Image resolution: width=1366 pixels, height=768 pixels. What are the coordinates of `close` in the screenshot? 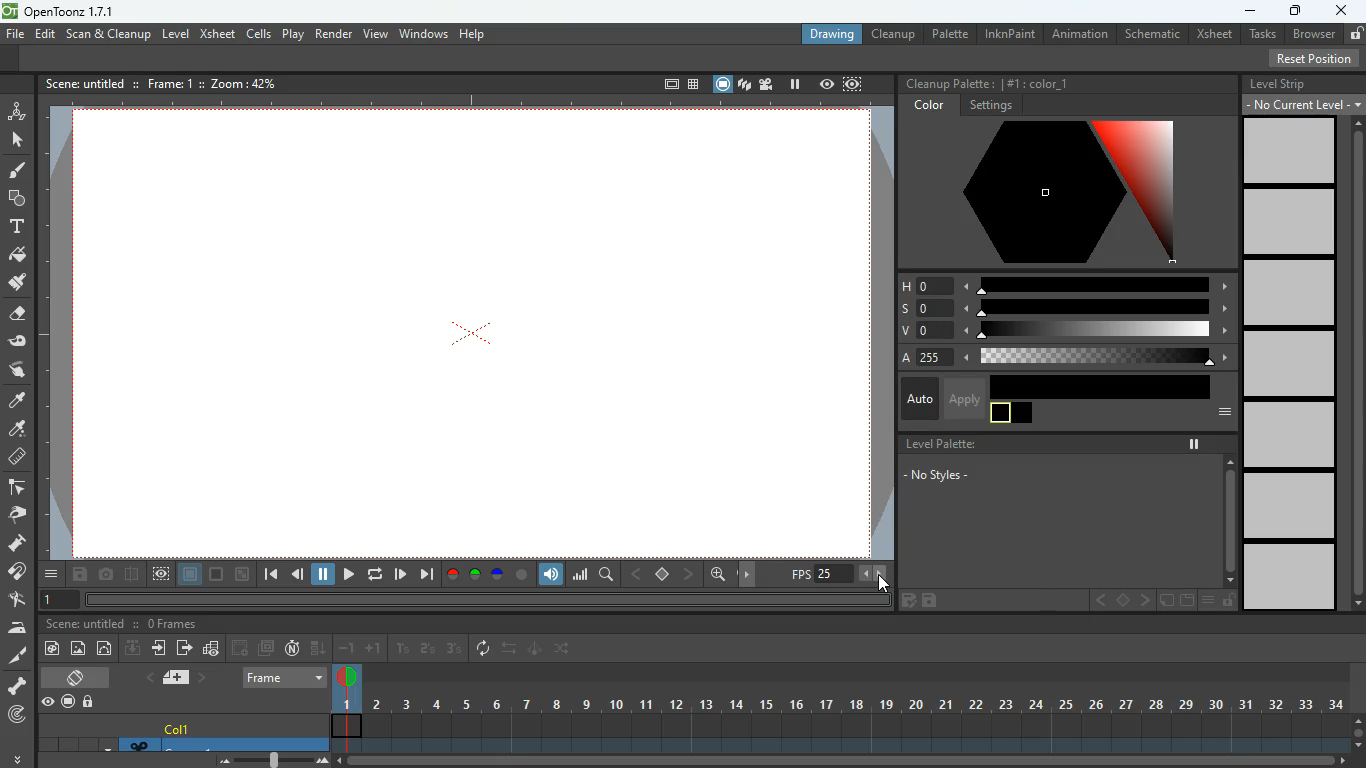 It's located at (1342, 9).